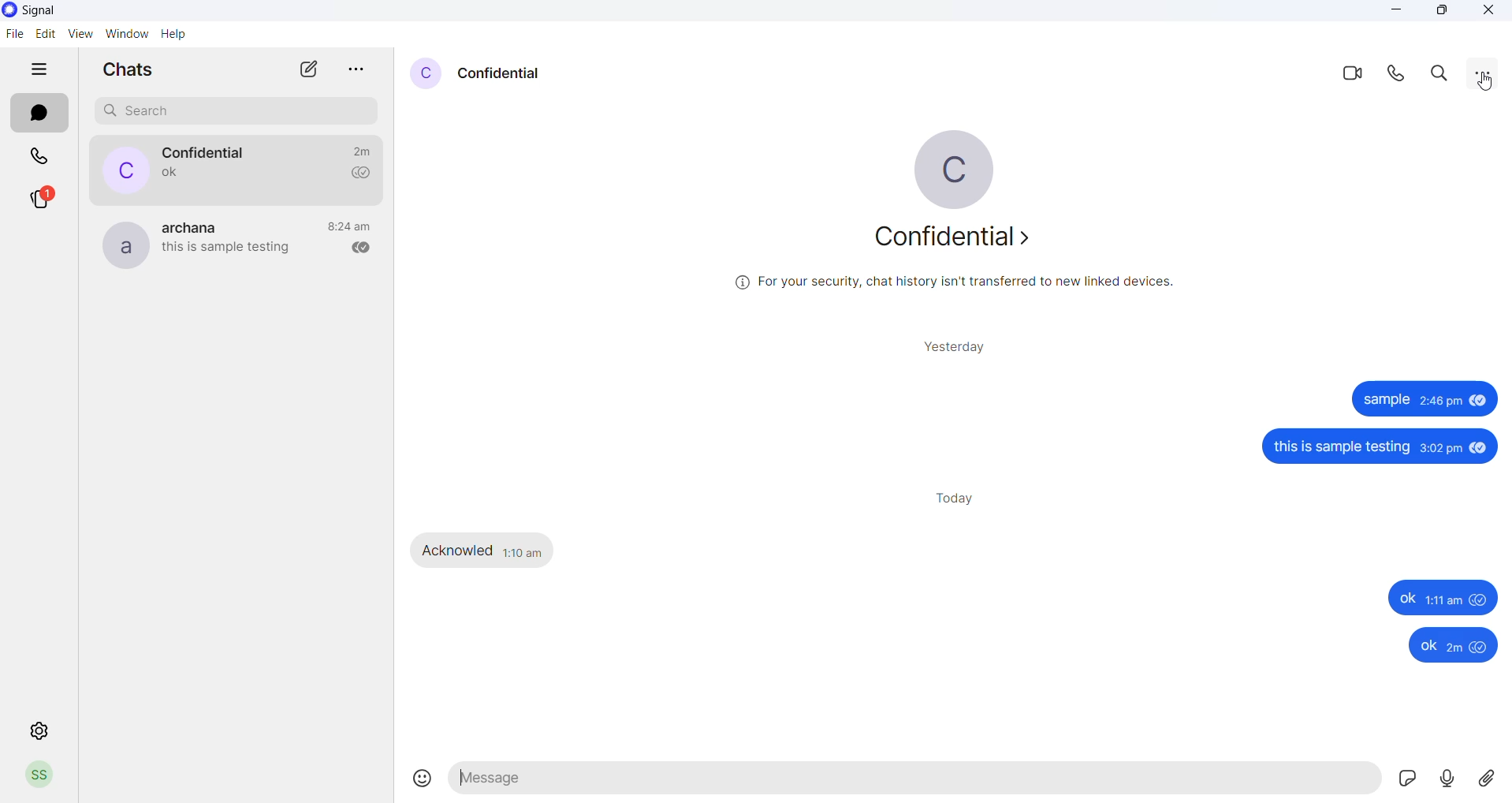  What do you see at coordinates (163, 176) in the screenshot?
I see `last message` at bounding box center [163, 176].